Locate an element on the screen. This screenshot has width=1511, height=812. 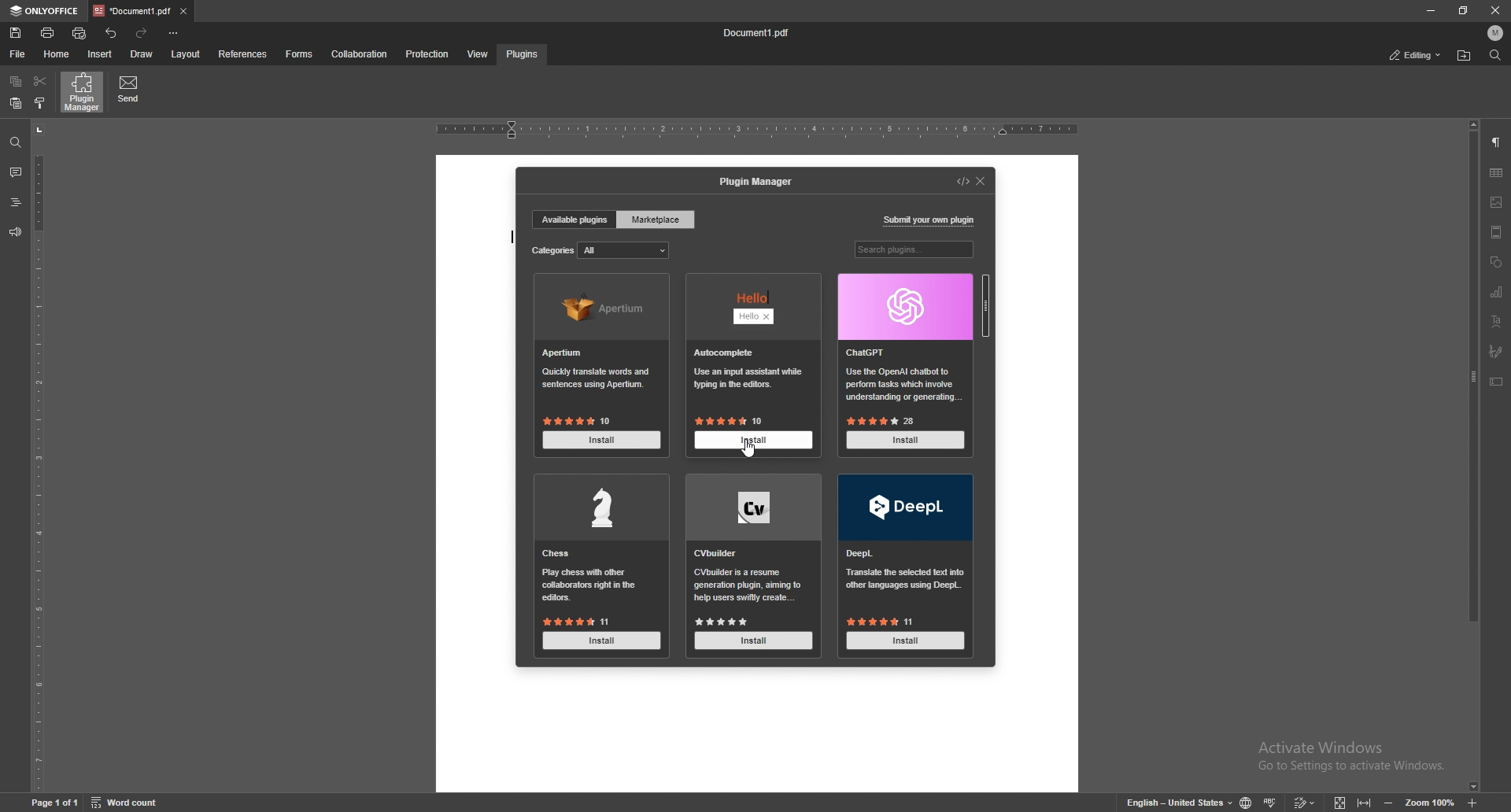
feedback is located at coordinates (16, 232).